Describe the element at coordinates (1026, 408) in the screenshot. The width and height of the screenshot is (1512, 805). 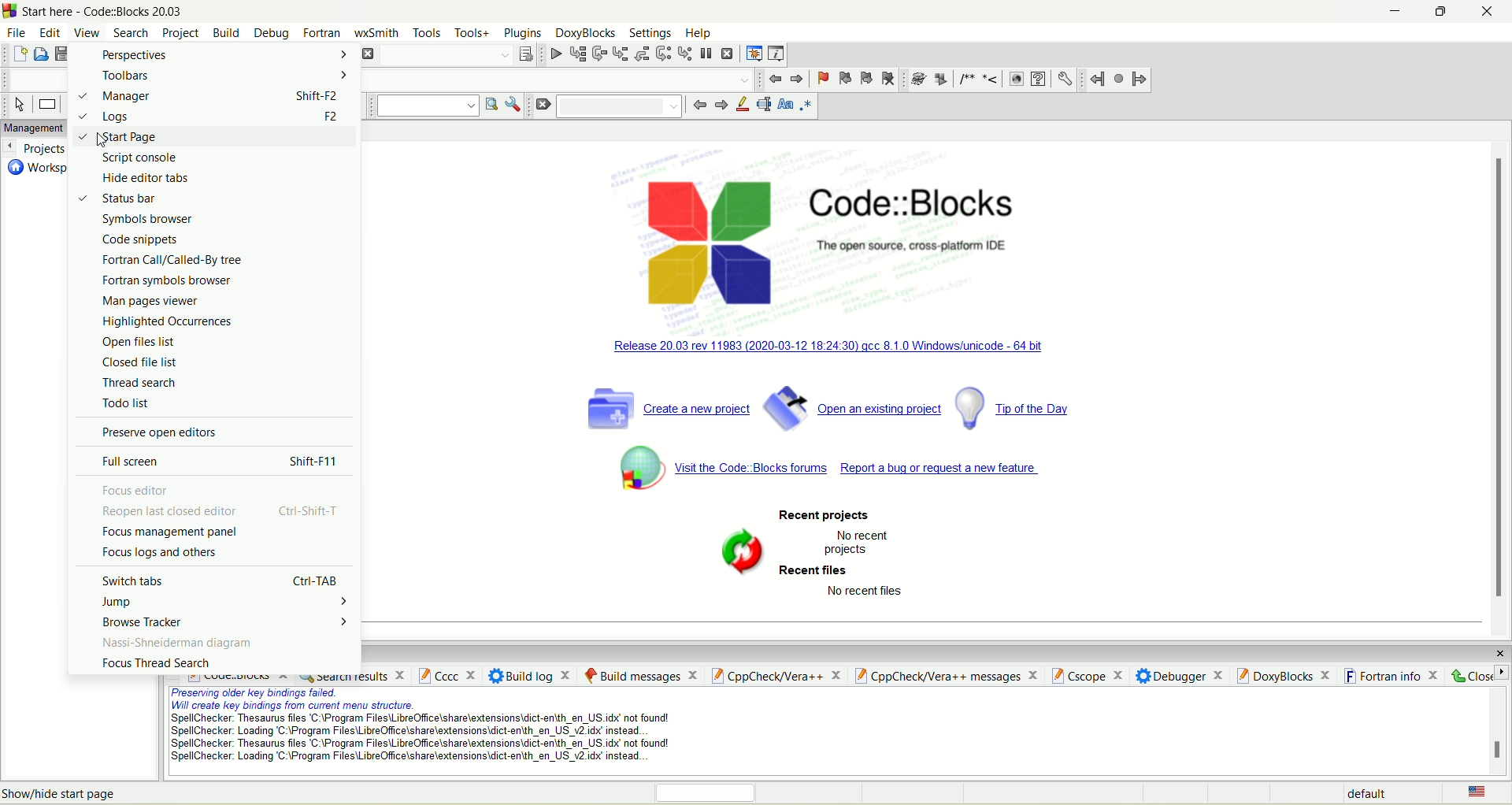
I see `tip of the day` at that location.